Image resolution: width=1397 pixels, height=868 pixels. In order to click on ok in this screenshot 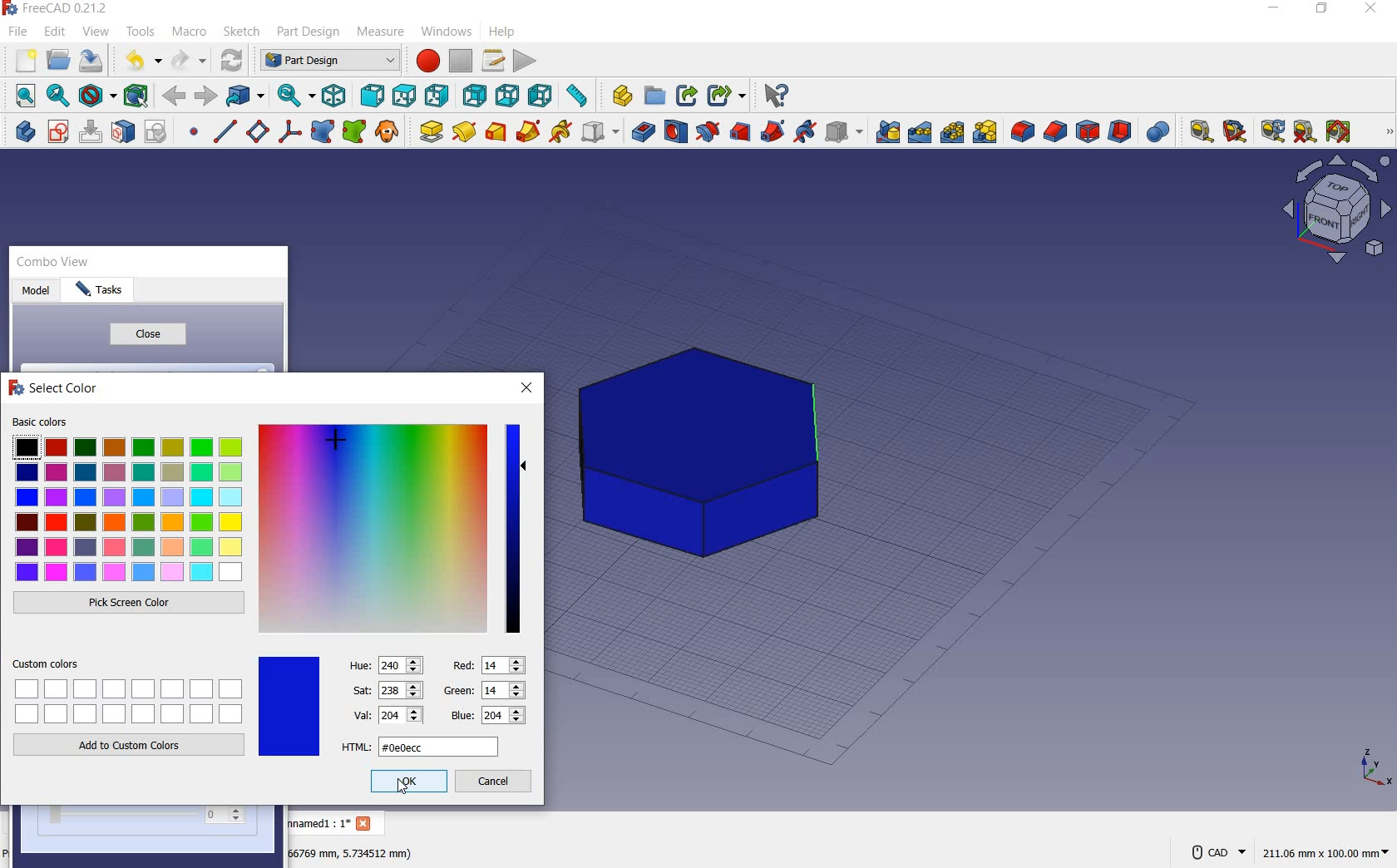, I will do `click(407, 782)`.